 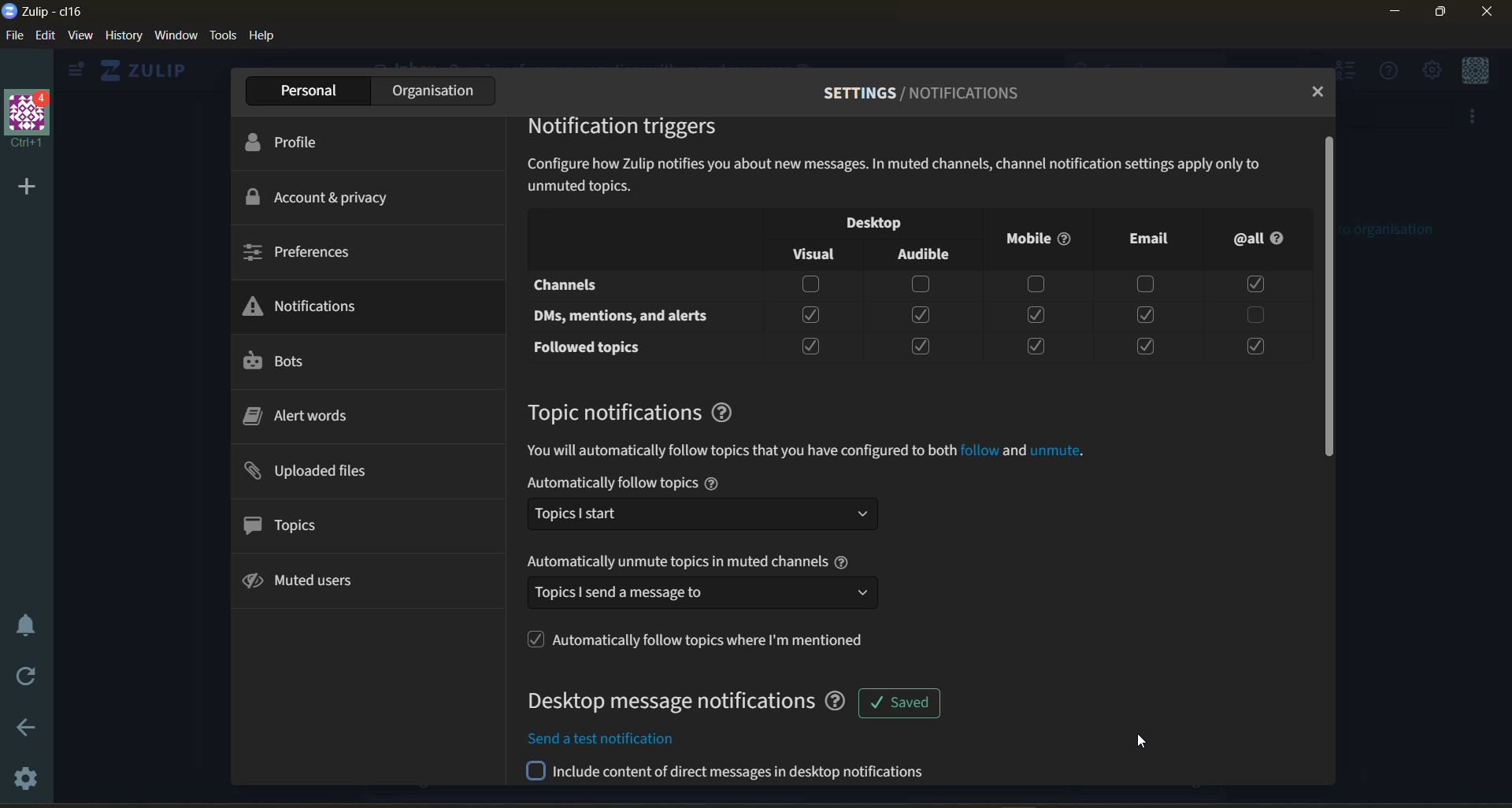 What do you see at coordinates (920, 346) in the screenshot?
I see `Checkbox` at bounding box center [920, 346].